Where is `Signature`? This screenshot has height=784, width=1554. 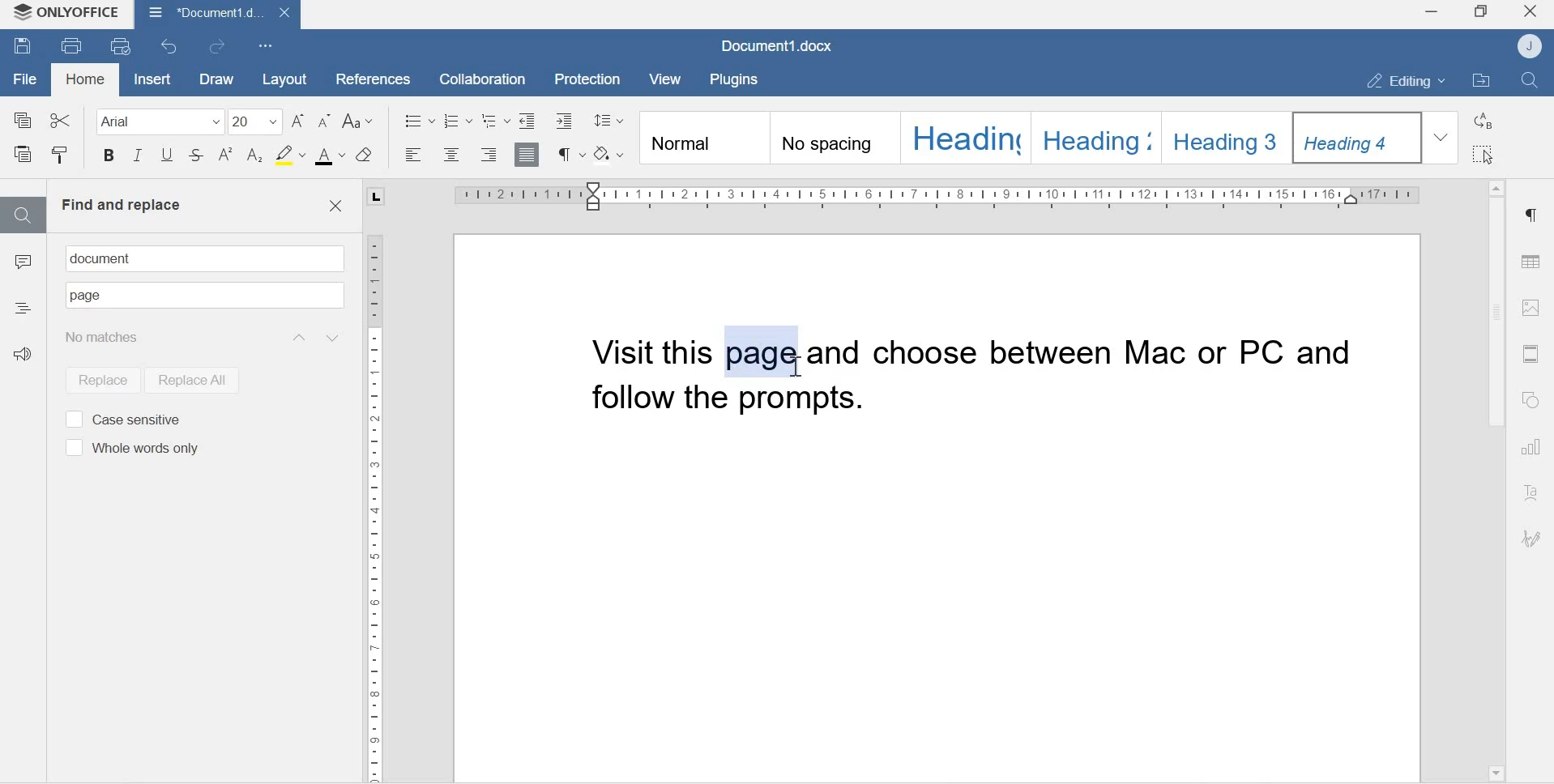 Signature is located at coordinates (1531, 539).